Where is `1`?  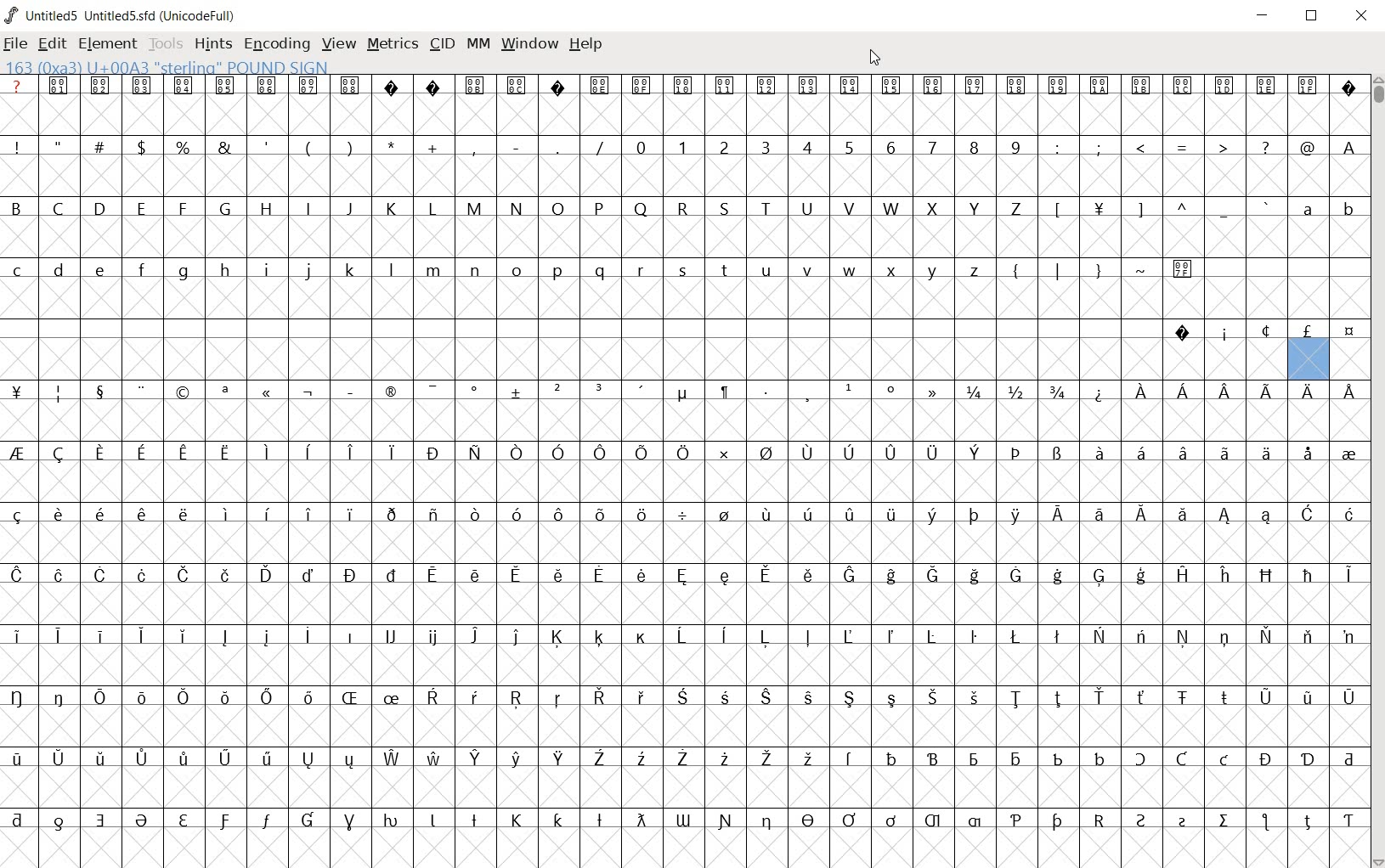 1 is located at coordinates (681, 146).